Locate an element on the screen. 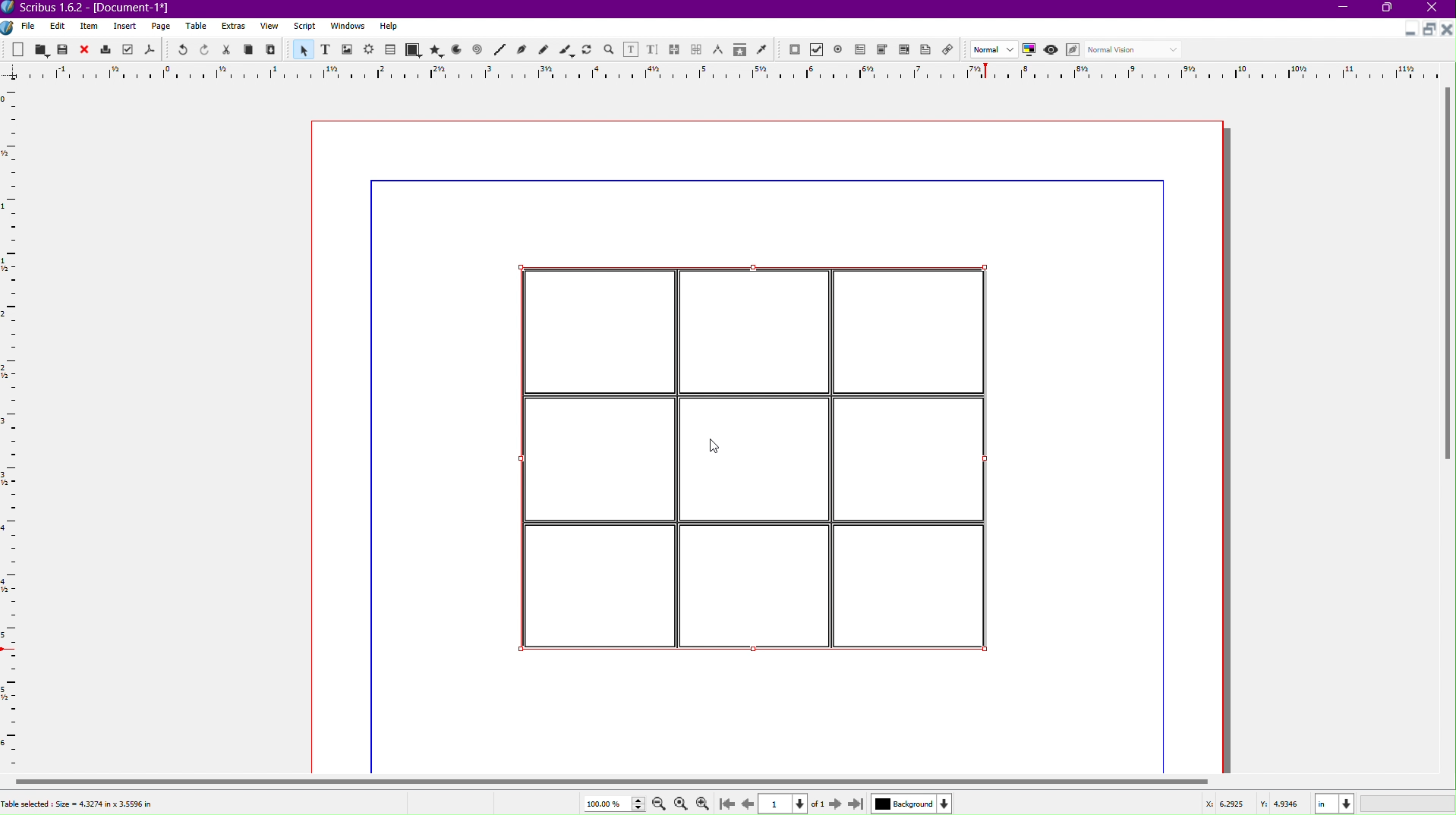  Table Inserted is located at coordinates (758, 461).